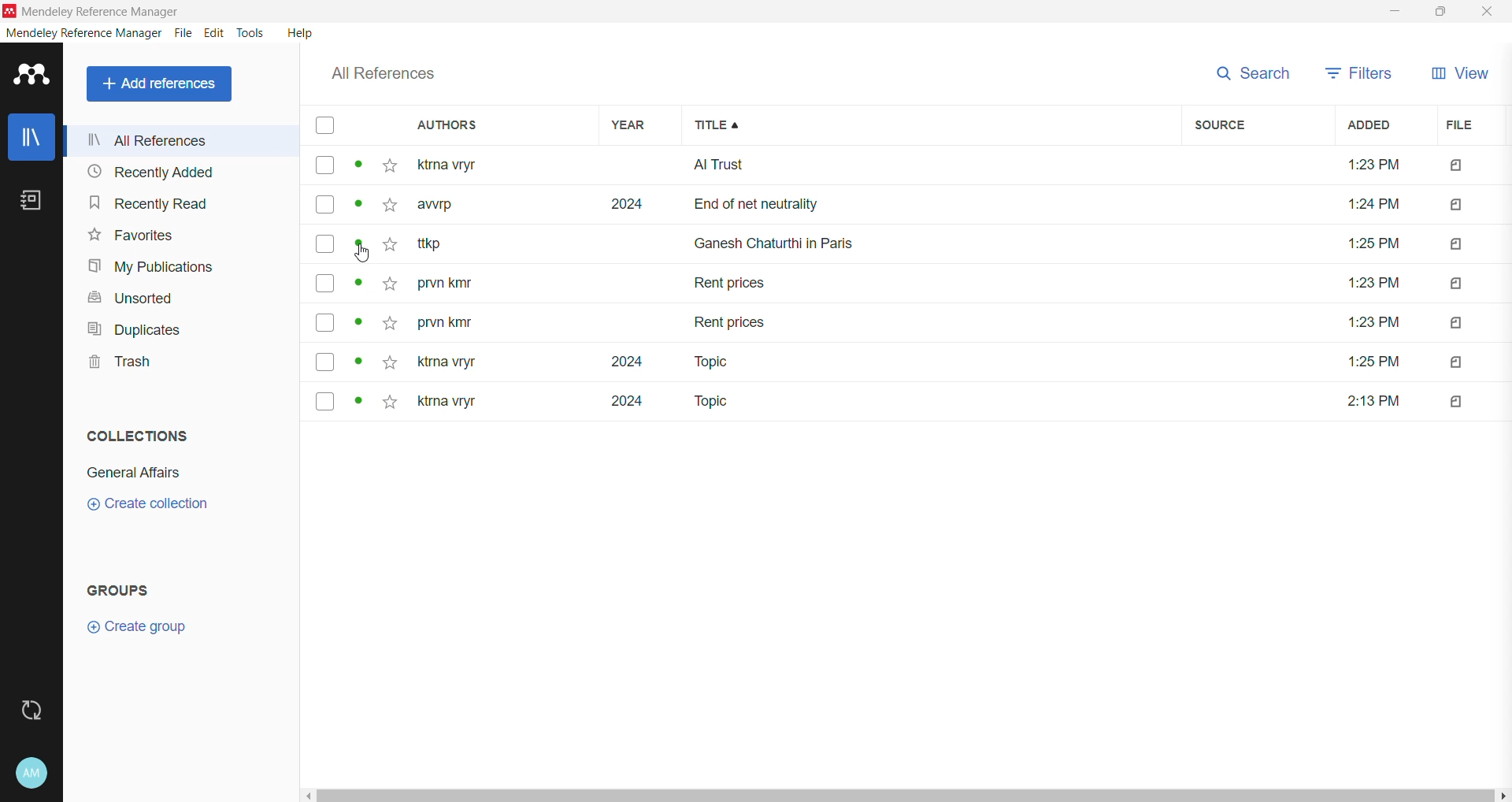  What do you see at coordinates (149, 204) in the screenshot?
I see `Recently Read` at bounding box center [149, 204].